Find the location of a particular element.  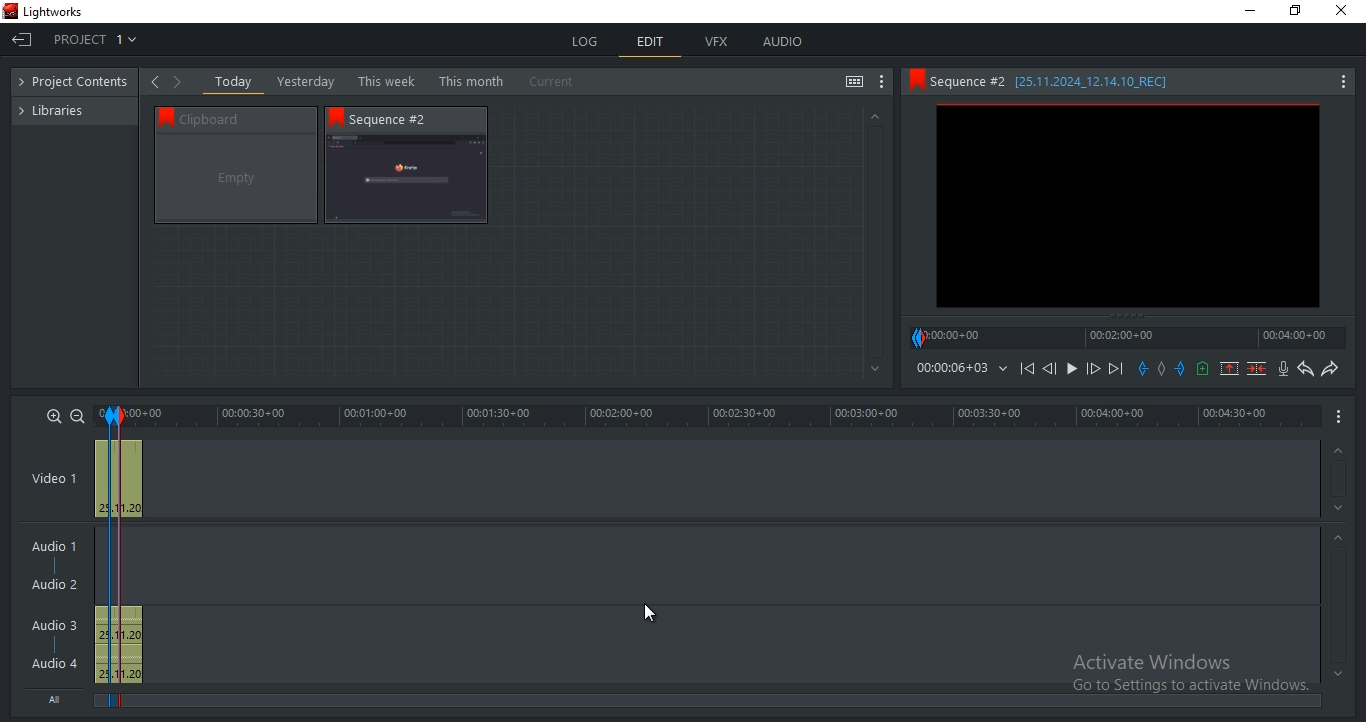

record audio is located at coordinates (1285, 369).